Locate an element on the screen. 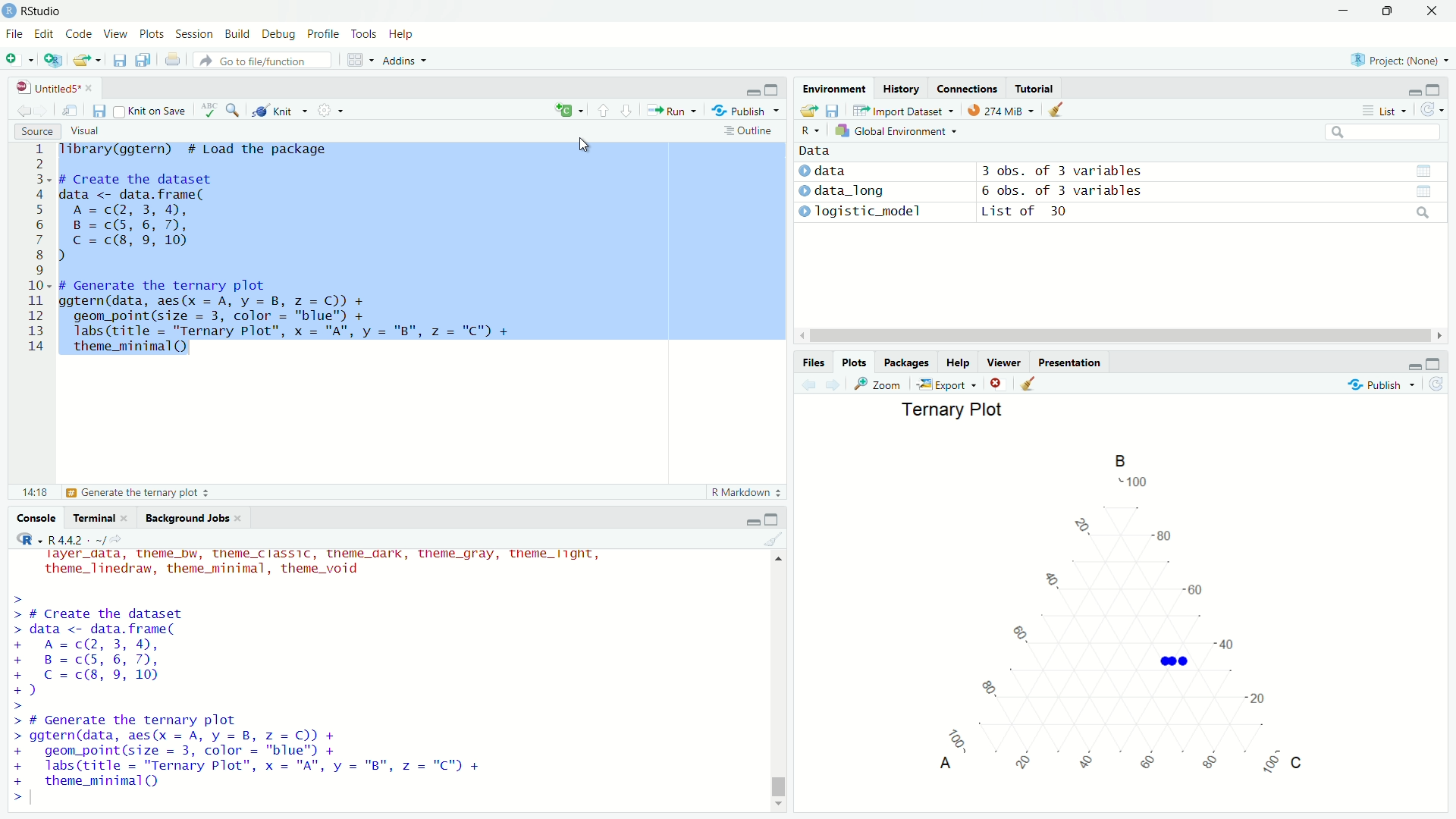 The height and width of the screenshot is (819, 1456). Generate the ternary plot is located at coordinates (139, 493).